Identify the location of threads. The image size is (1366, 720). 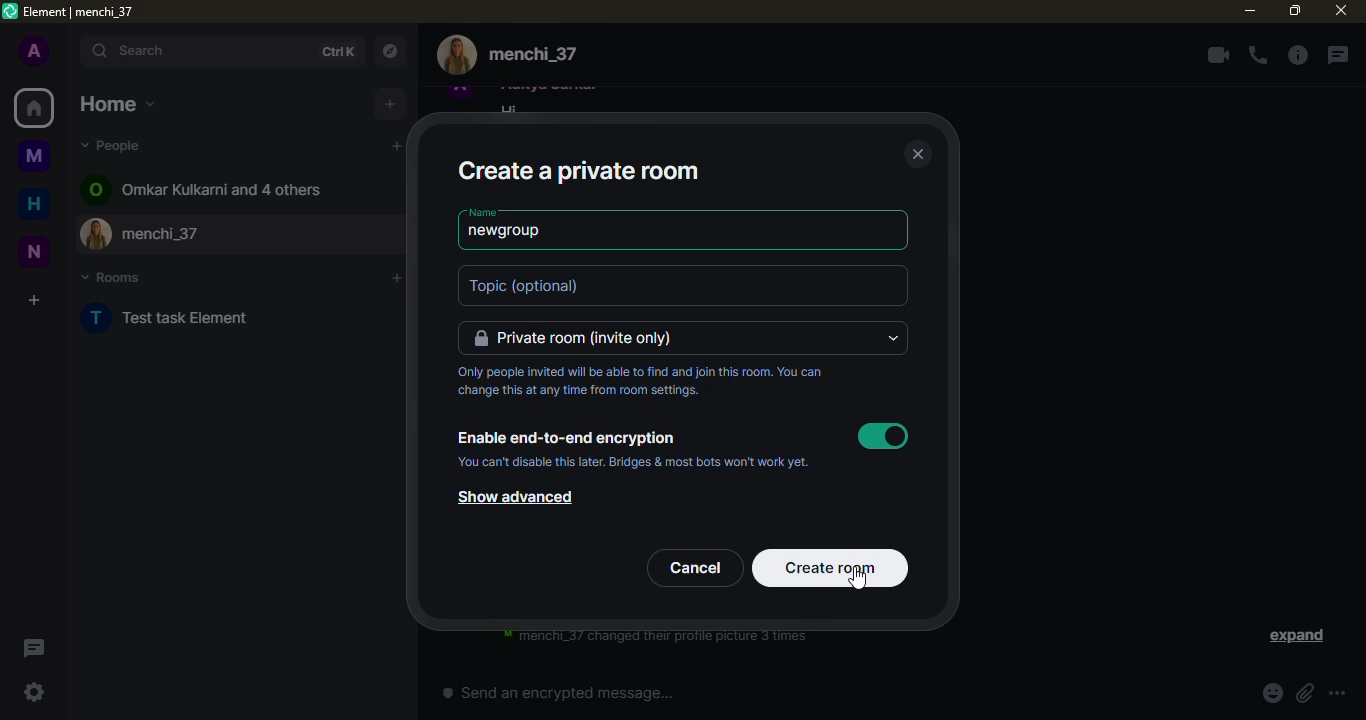
(1337, 55).